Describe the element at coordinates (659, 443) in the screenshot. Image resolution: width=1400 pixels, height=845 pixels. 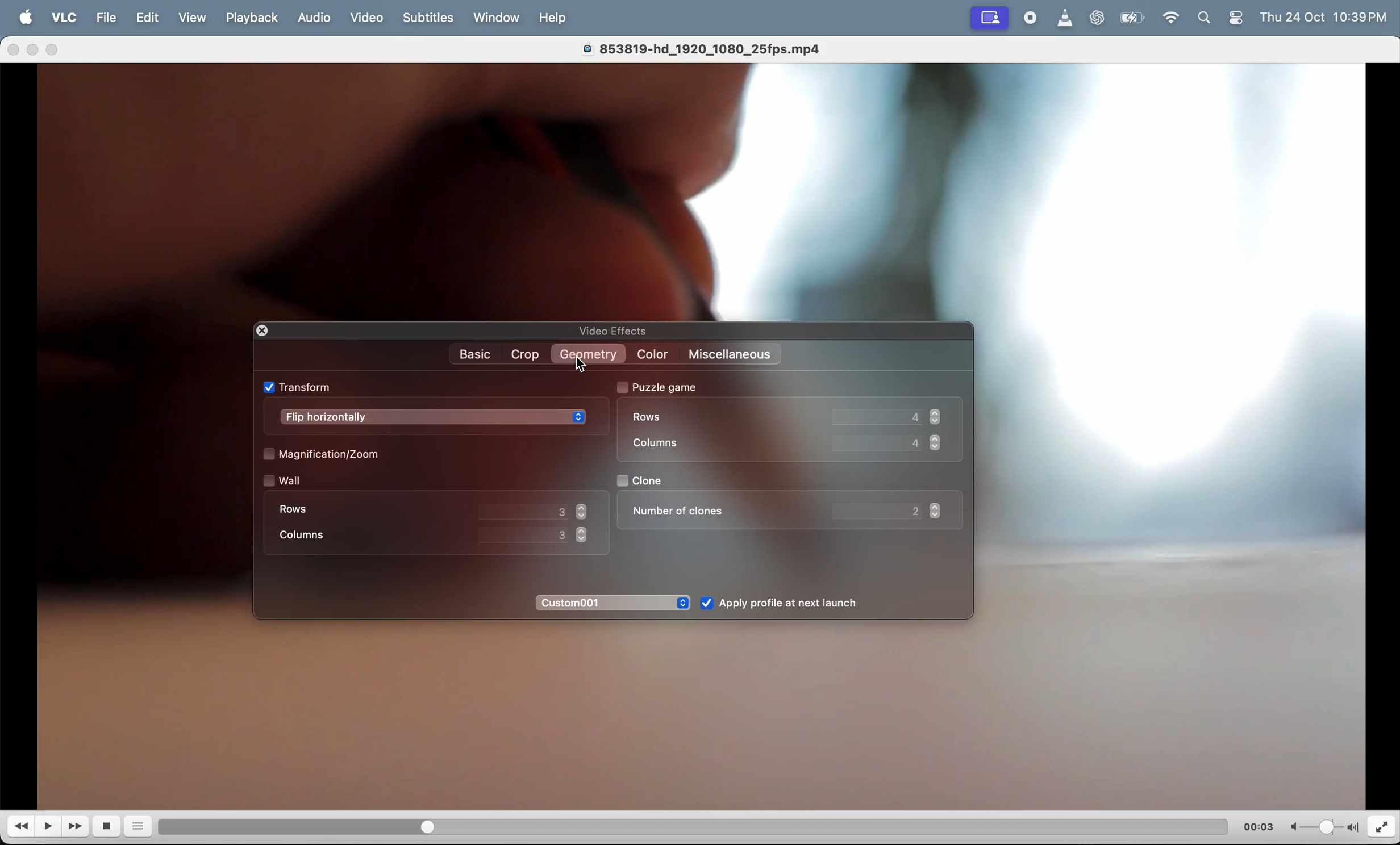
I see `coloumn` at that location.